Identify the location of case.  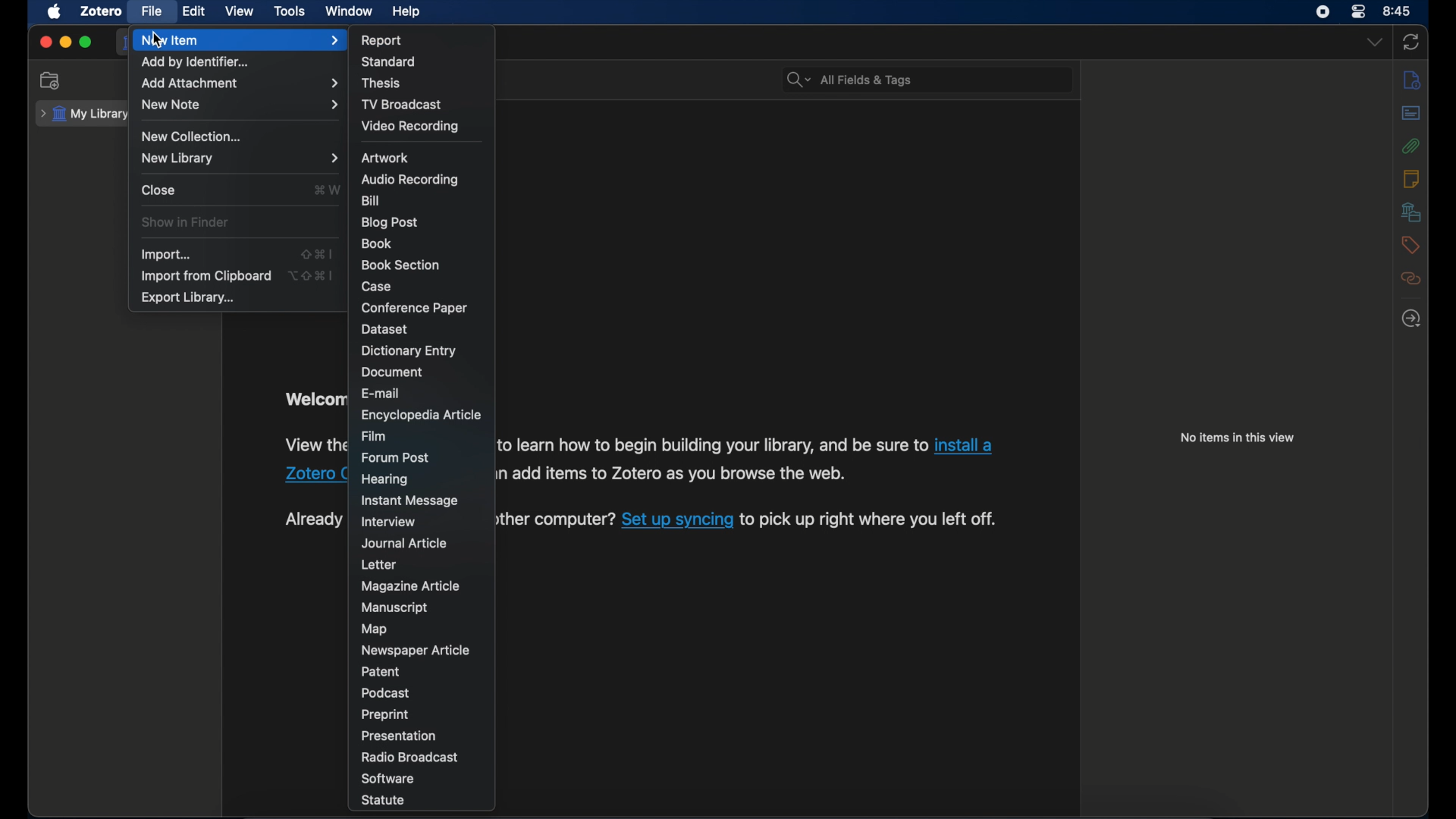
(378, 286).